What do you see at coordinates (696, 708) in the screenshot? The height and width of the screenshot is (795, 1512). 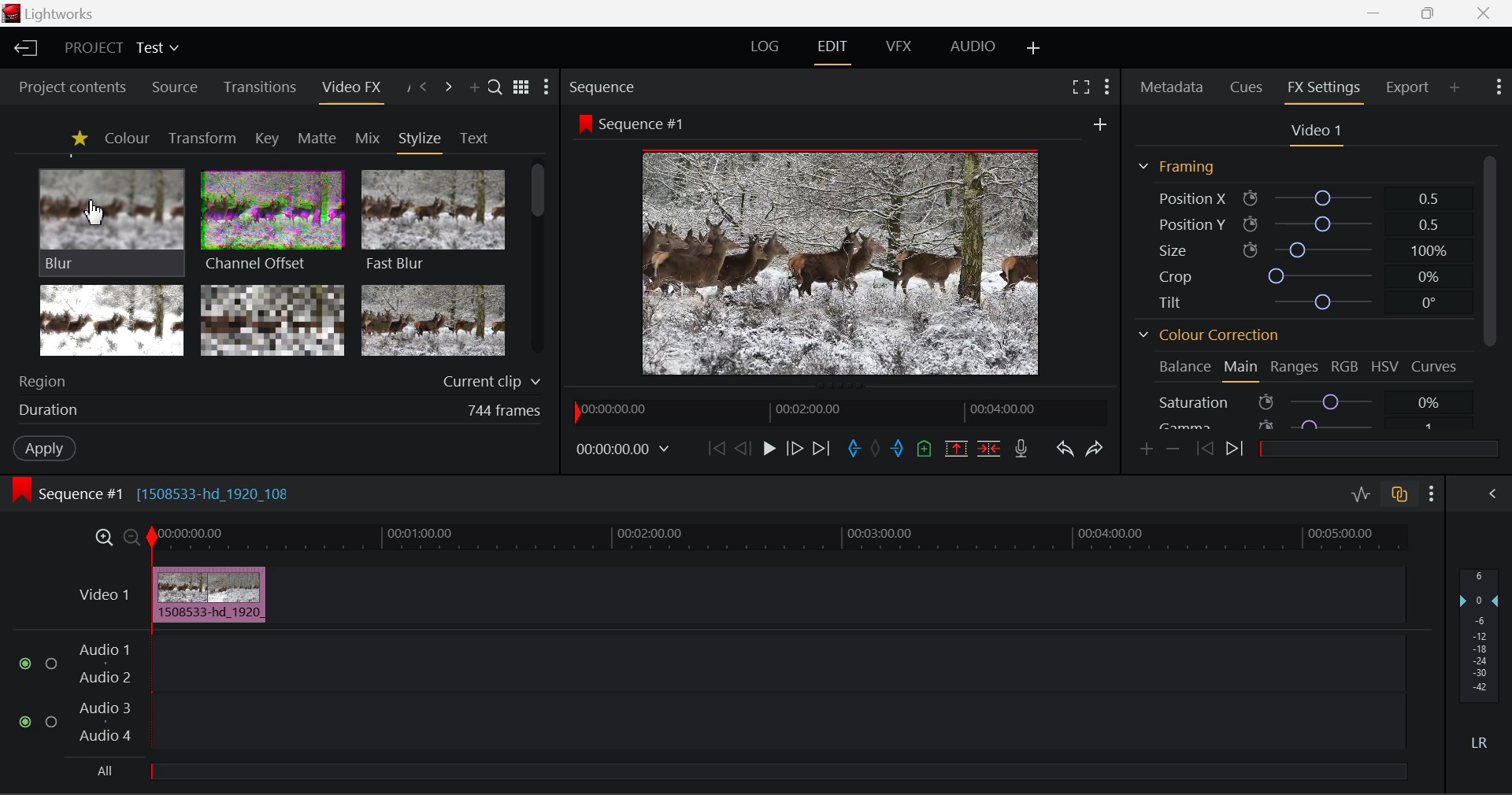 I see `Audio Input Field` at bounding box center [696, 708].